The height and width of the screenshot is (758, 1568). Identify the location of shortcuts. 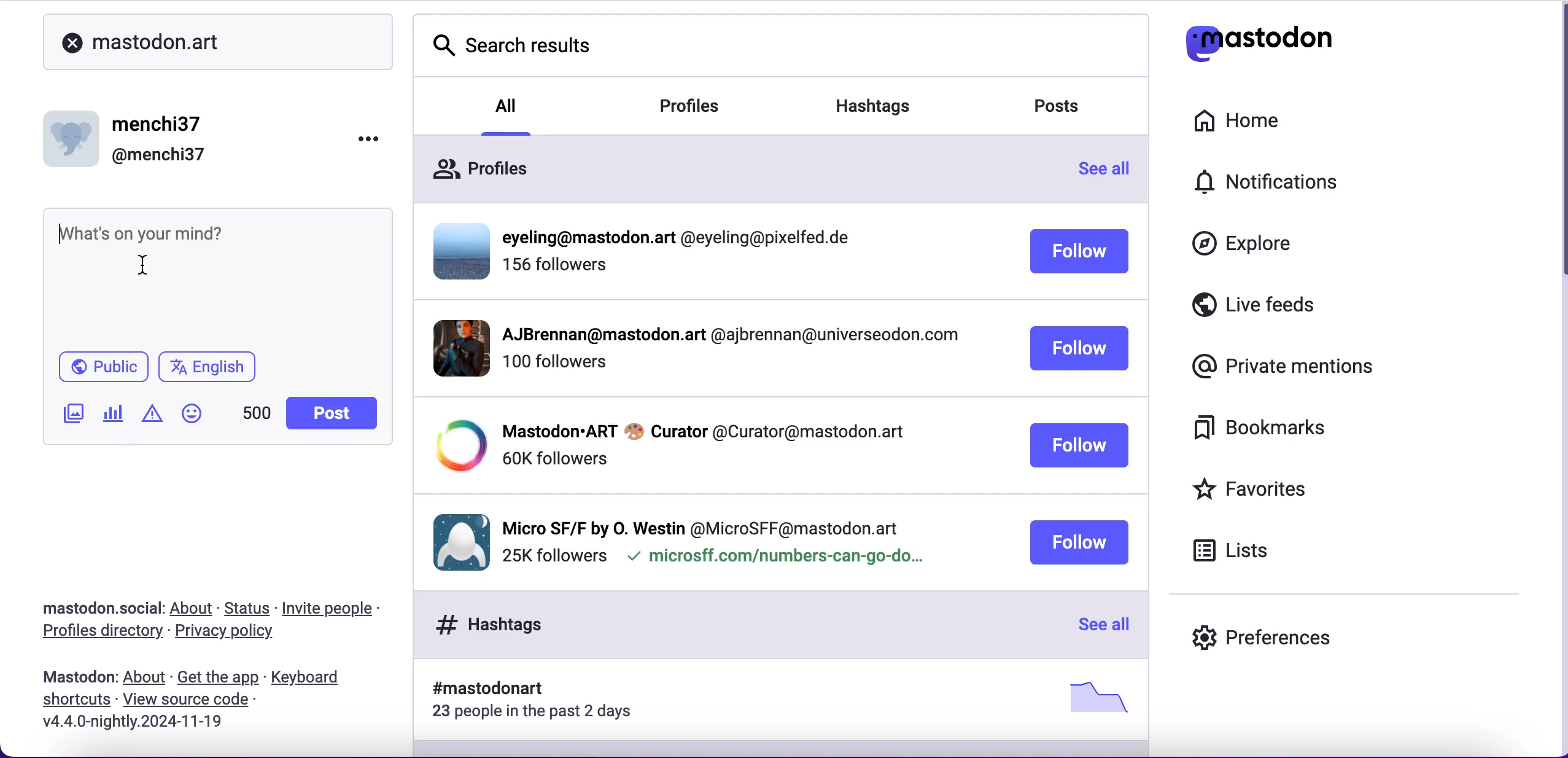
(72, 702).